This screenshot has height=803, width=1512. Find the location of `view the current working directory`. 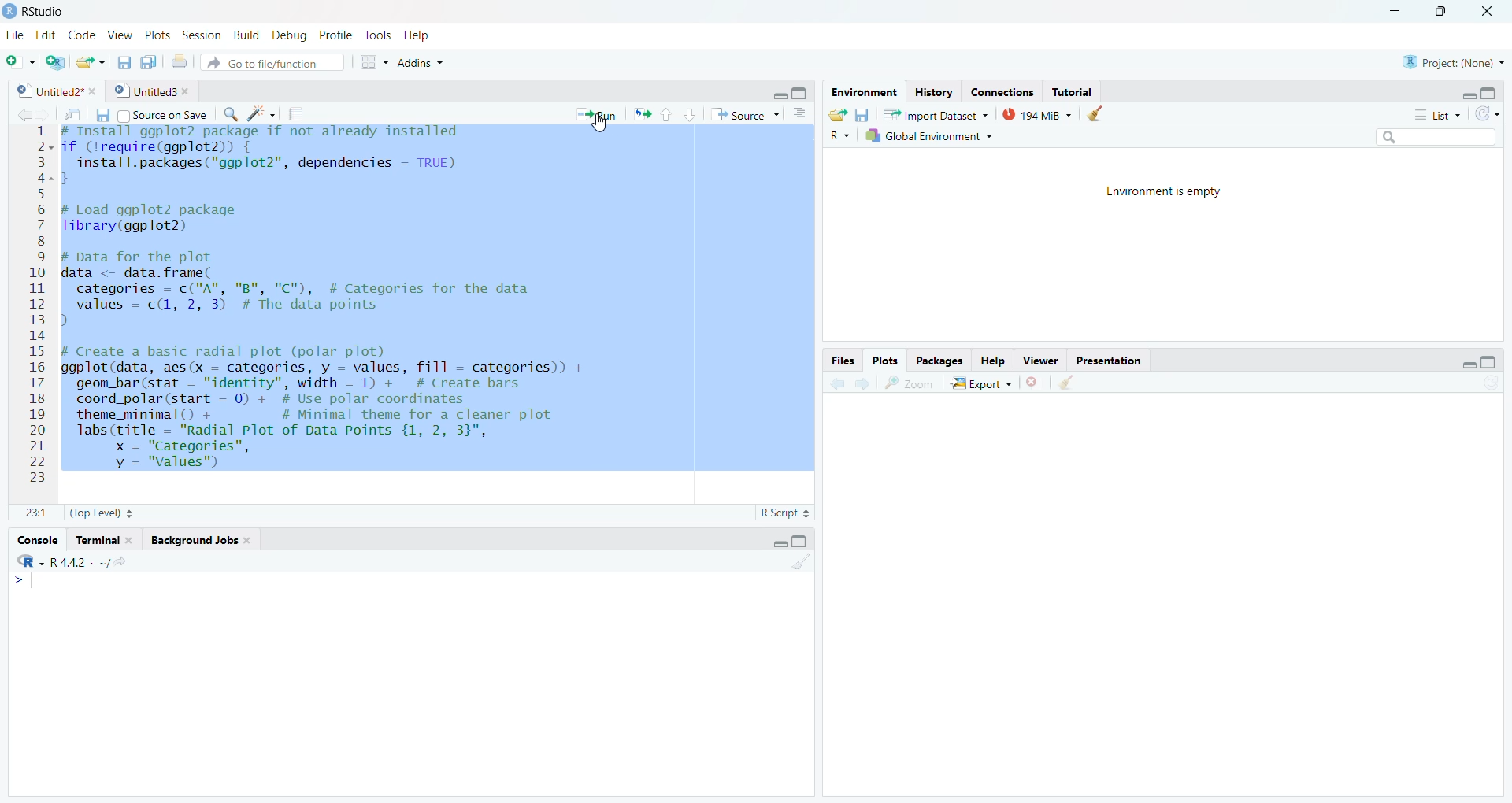

view the current working directory is located at coordinates (120, 563).